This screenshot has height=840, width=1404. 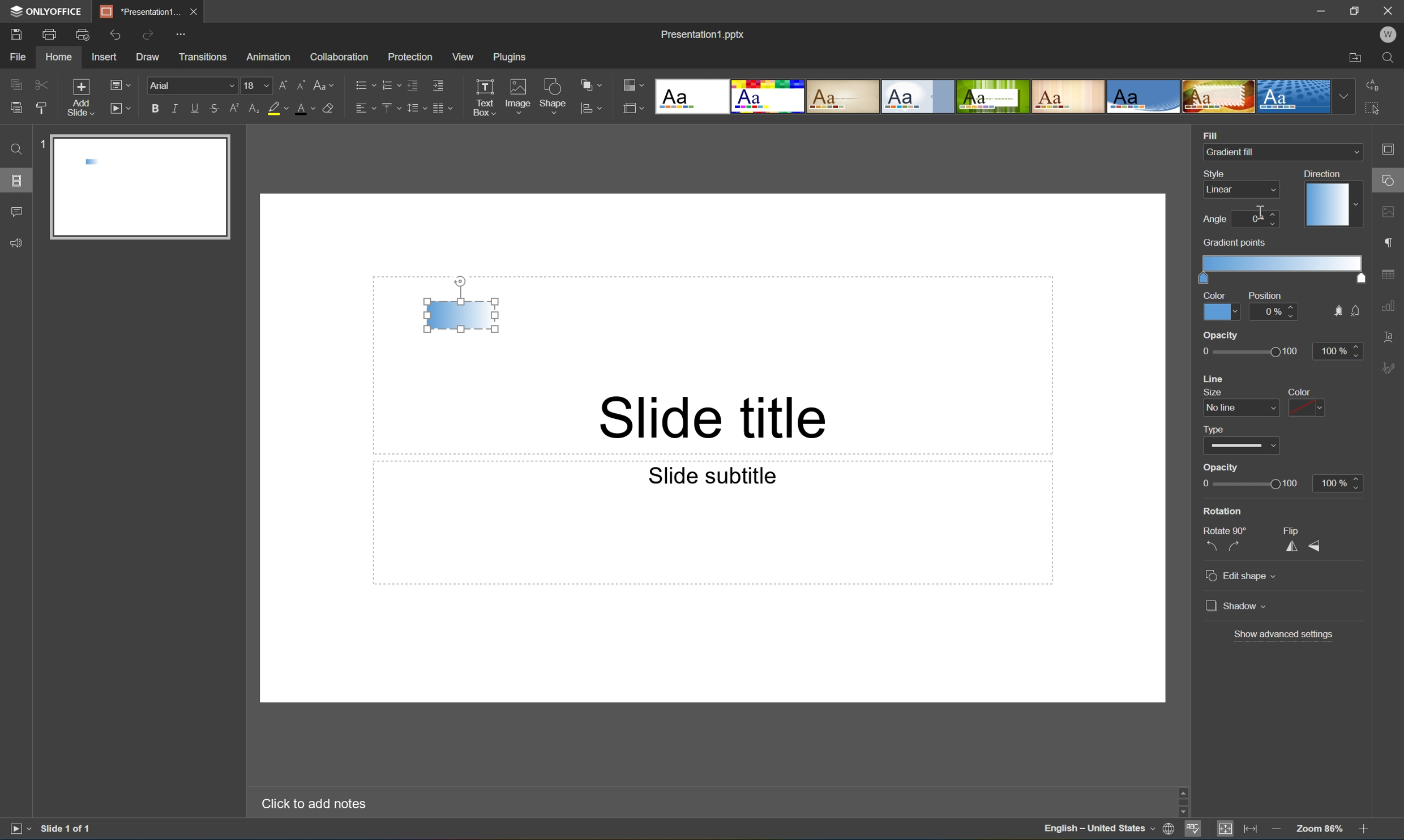 I want to click on Spell checking, so click(x=1193, y=830).